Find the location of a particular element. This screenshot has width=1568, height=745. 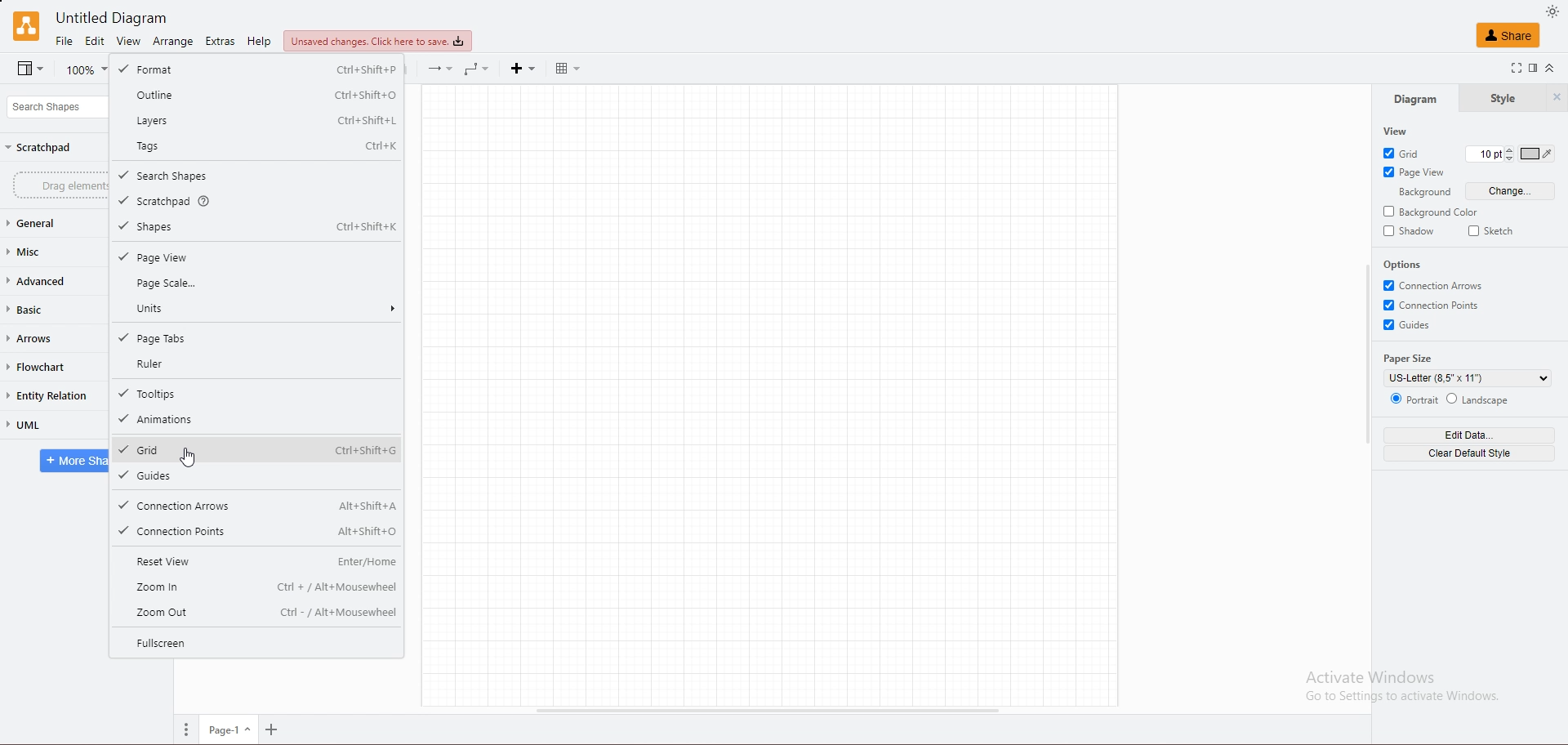

misc is located at coordinates (48, 252).